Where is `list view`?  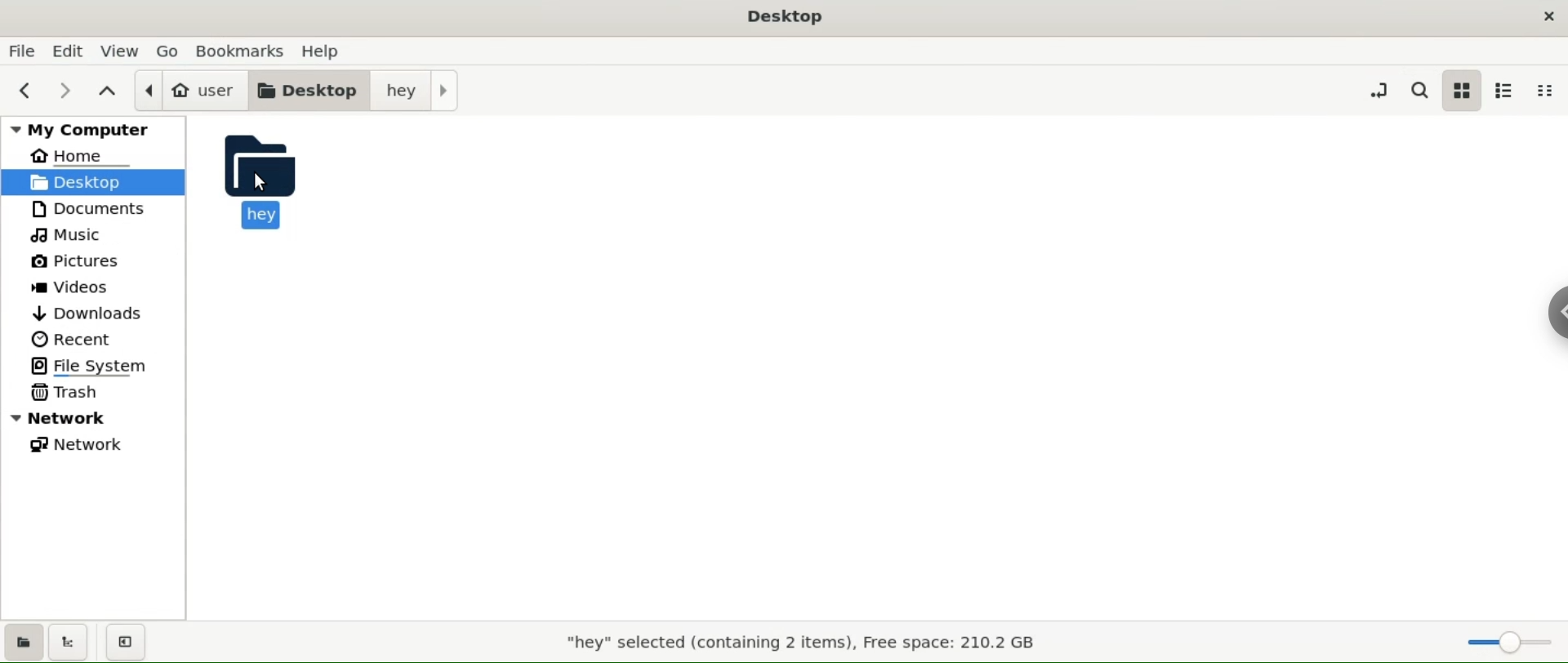 list view is located at coordinates (1506, 90).